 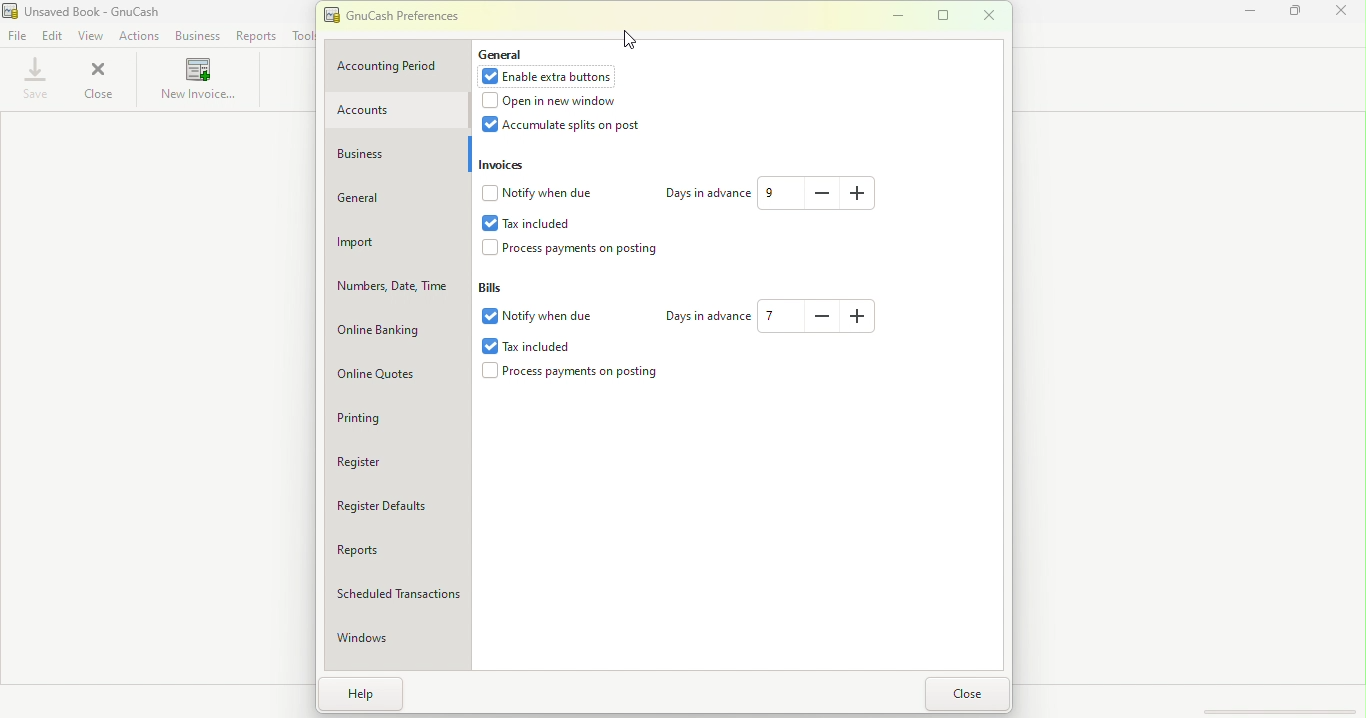 I want to click on GnuCash preferences, so click(x=399, y=17).